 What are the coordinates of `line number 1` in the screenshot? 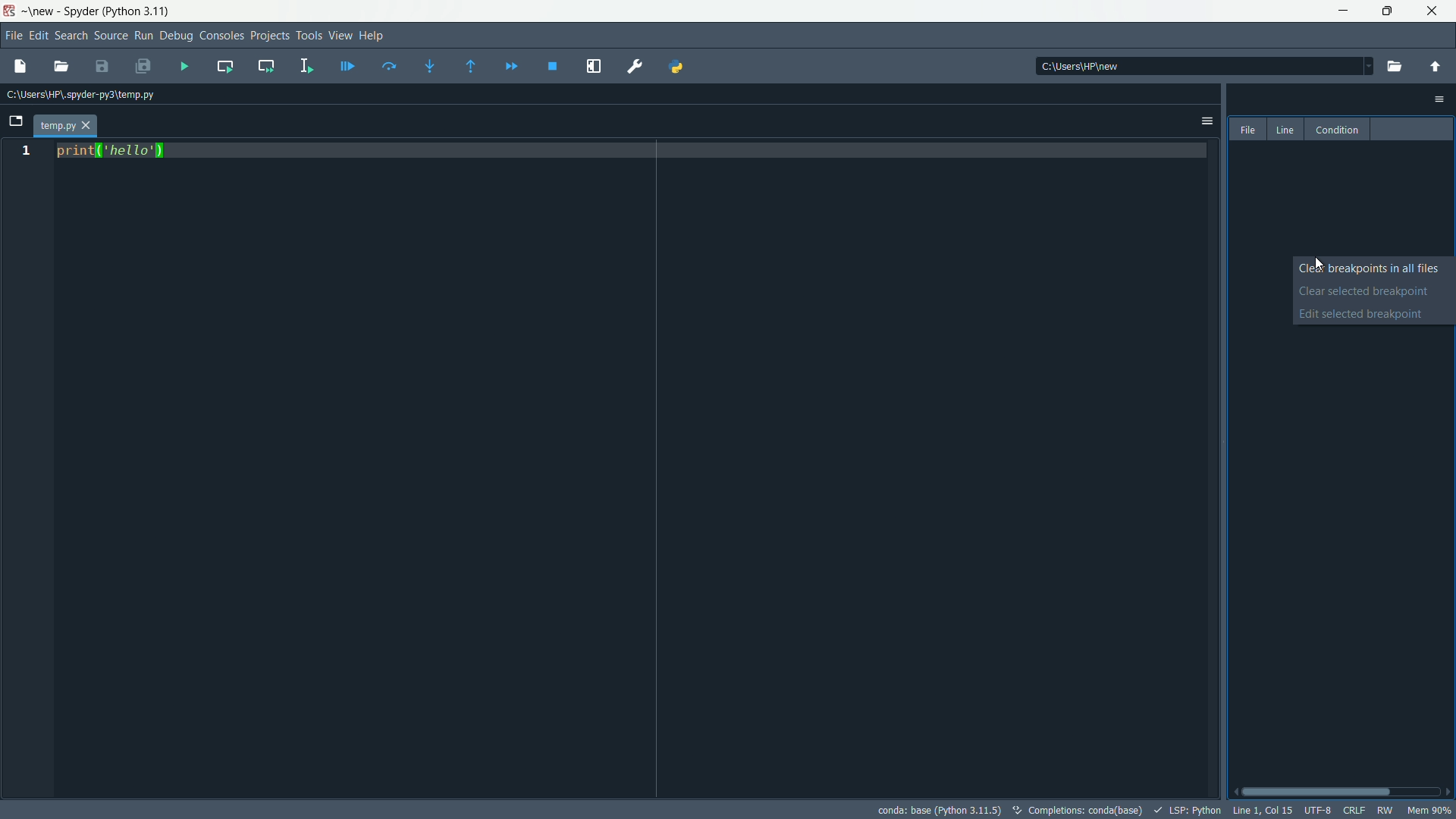 It's located at (25, 152).